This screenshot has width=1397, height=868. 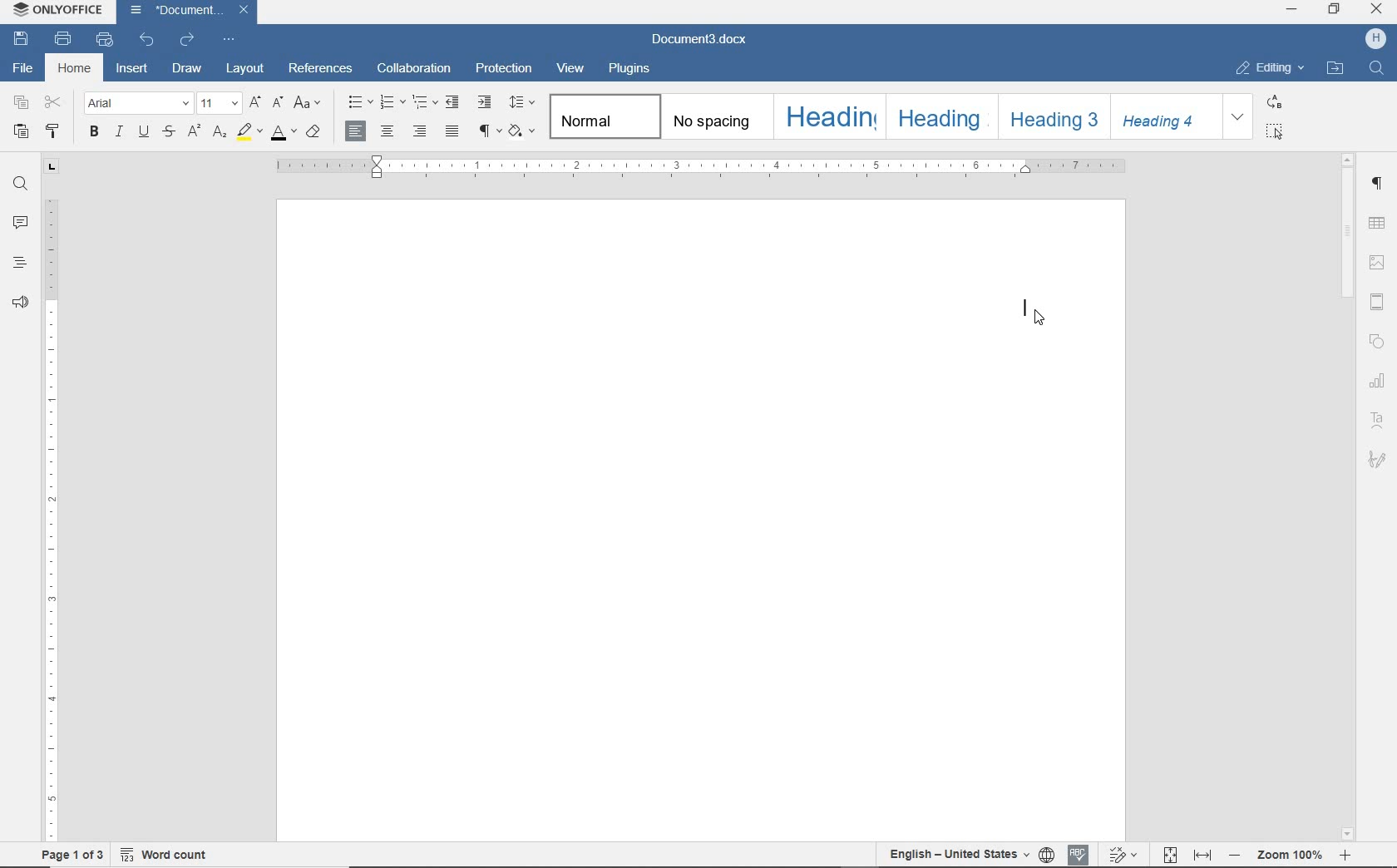 What do you see at coordinates (1281, 132) in the screenshot?
I see `SELECT ALL` at bounding box center [1281, 132].